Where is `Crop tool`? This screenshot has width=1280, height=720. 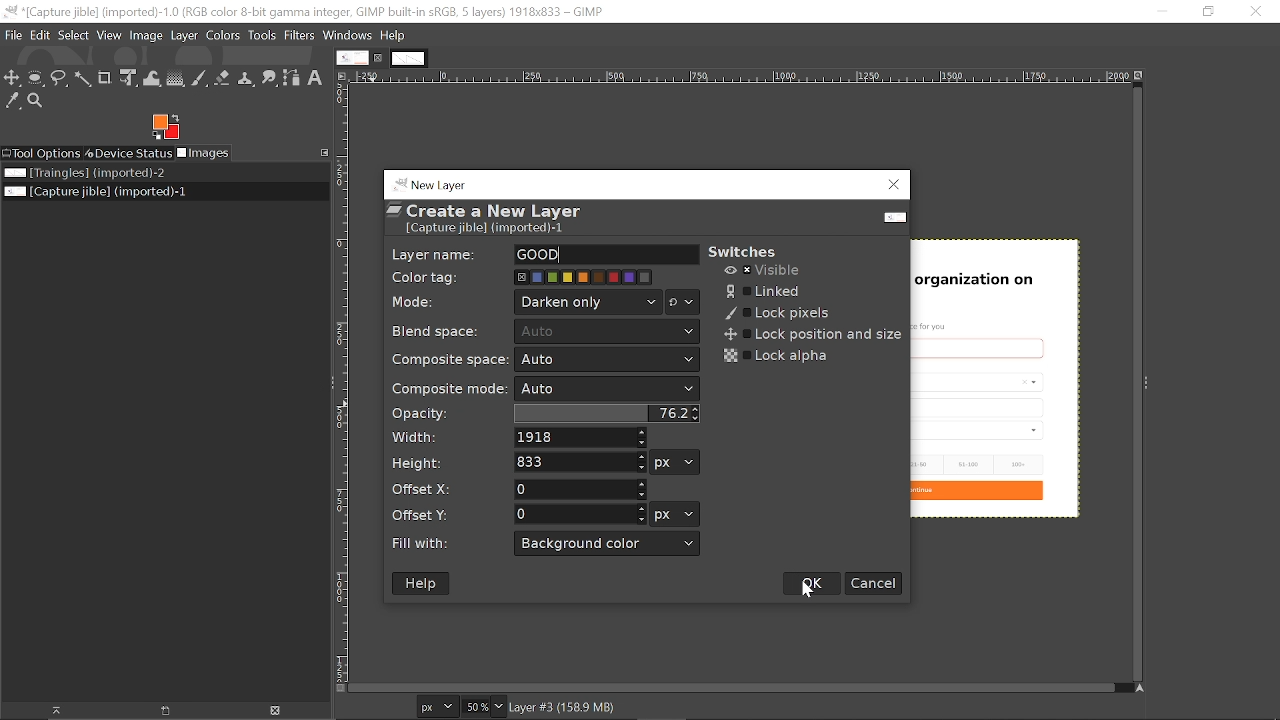 Crop tool is located at coordinates (106, 78).